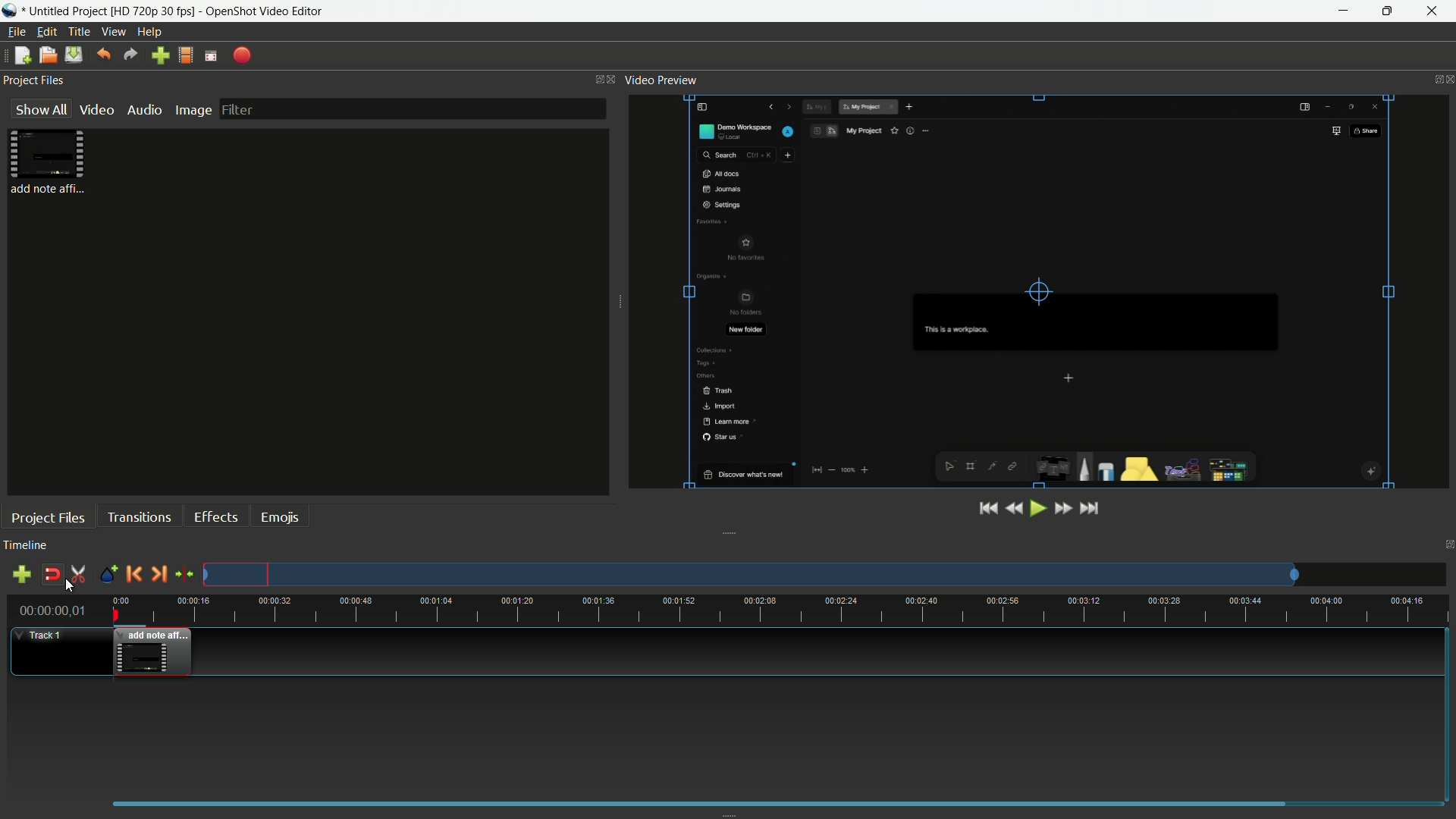 This screenshot has height=819, width=1456. Describe the element at coordinates (752, 575) in the screenshot. I see `preview track layout` at that location.